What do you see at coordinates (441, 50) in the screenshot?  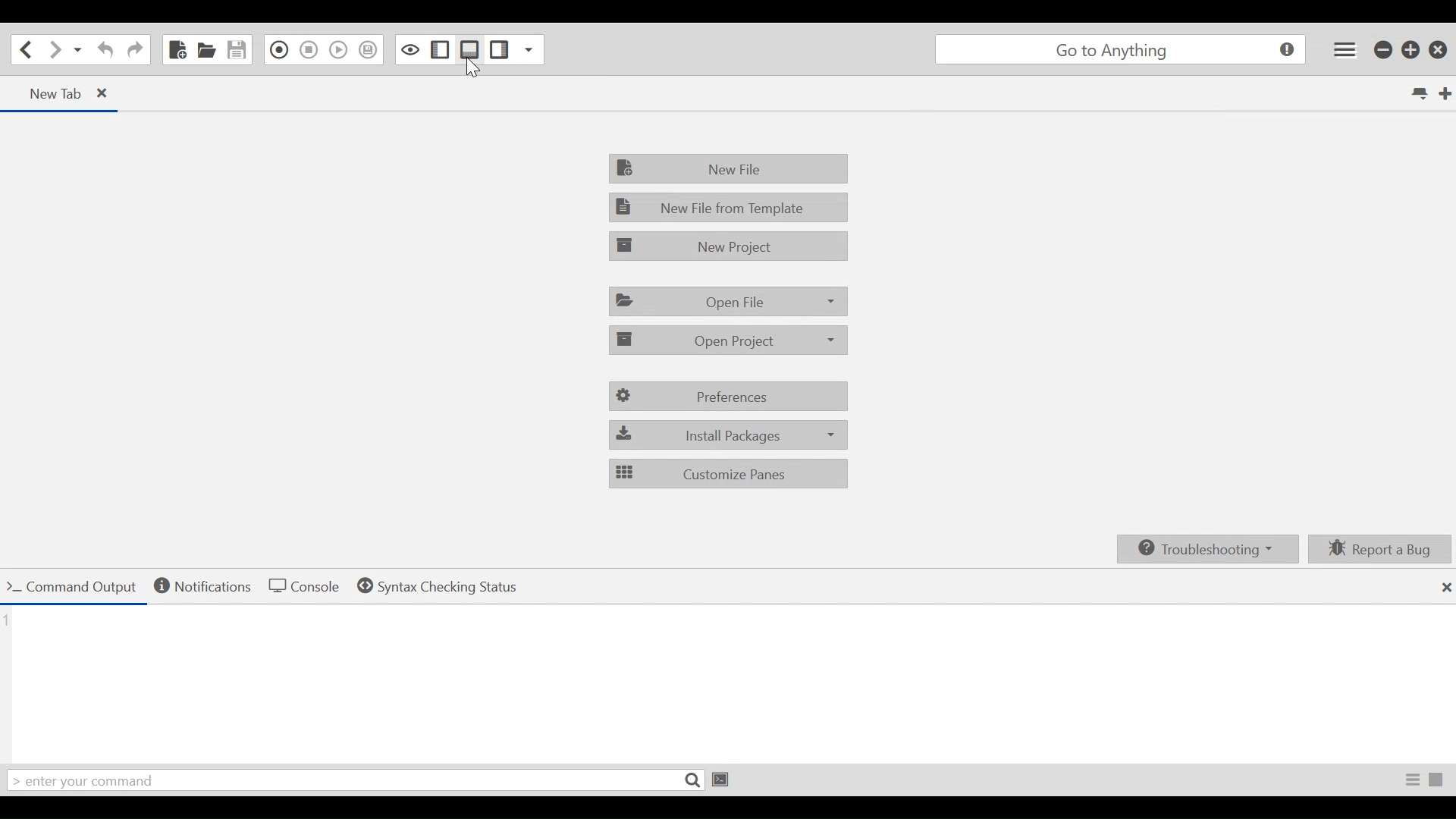 I see `Show/Hide Left Pane` at bounding box center [441, 50].